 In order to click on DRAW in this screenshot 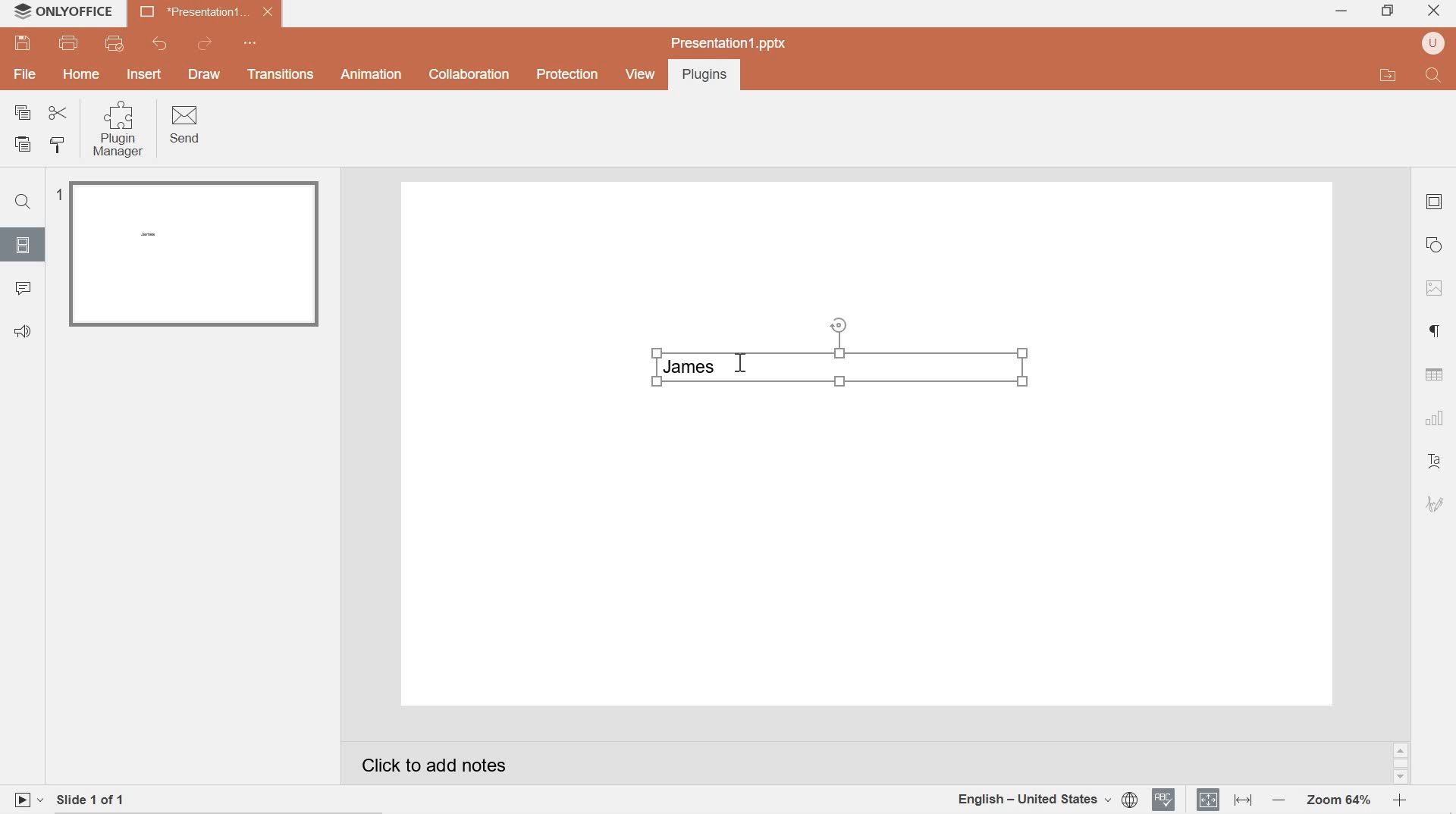, I will do `click(207, 76)`.